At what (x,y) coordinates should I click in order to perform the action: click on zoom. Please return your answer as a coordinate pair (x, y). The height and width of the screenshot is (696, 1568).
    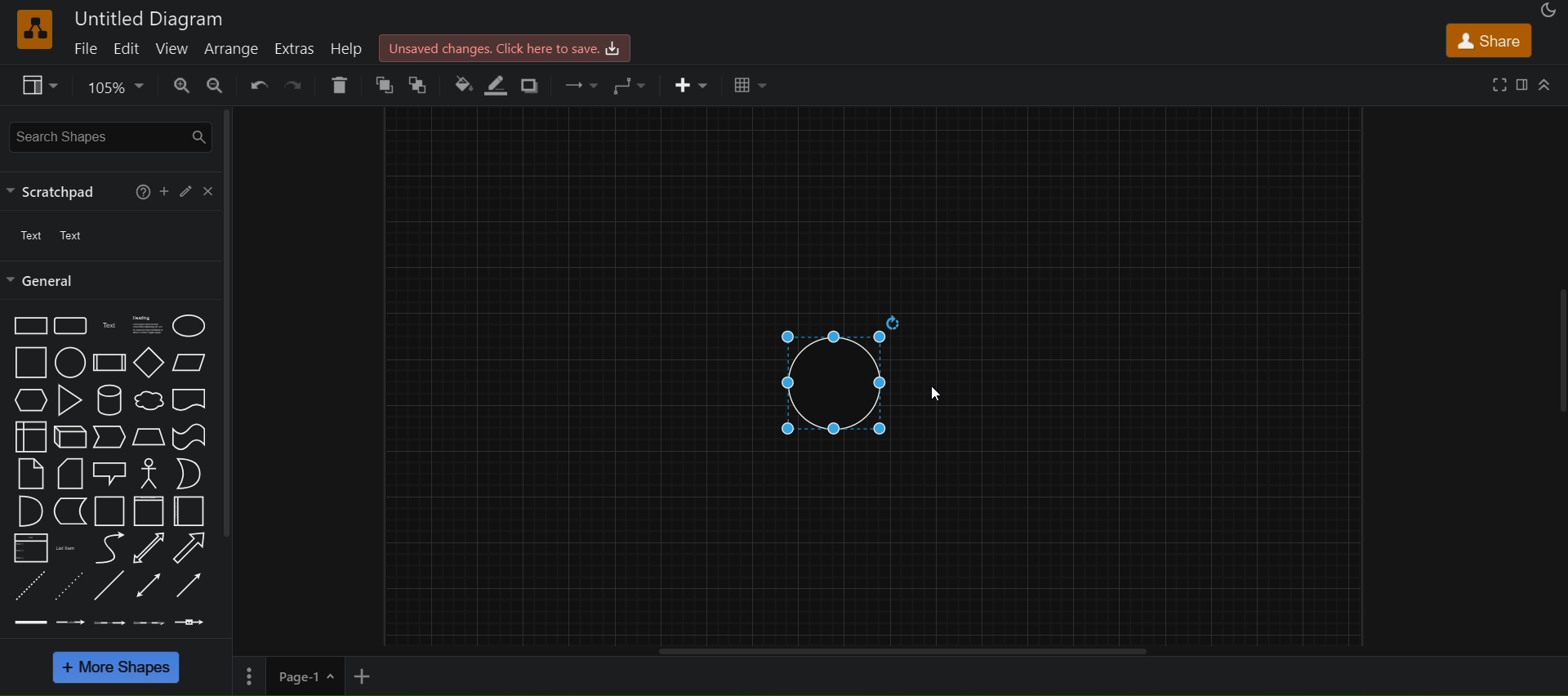
    Looking at the image, I should click on (115, 87).